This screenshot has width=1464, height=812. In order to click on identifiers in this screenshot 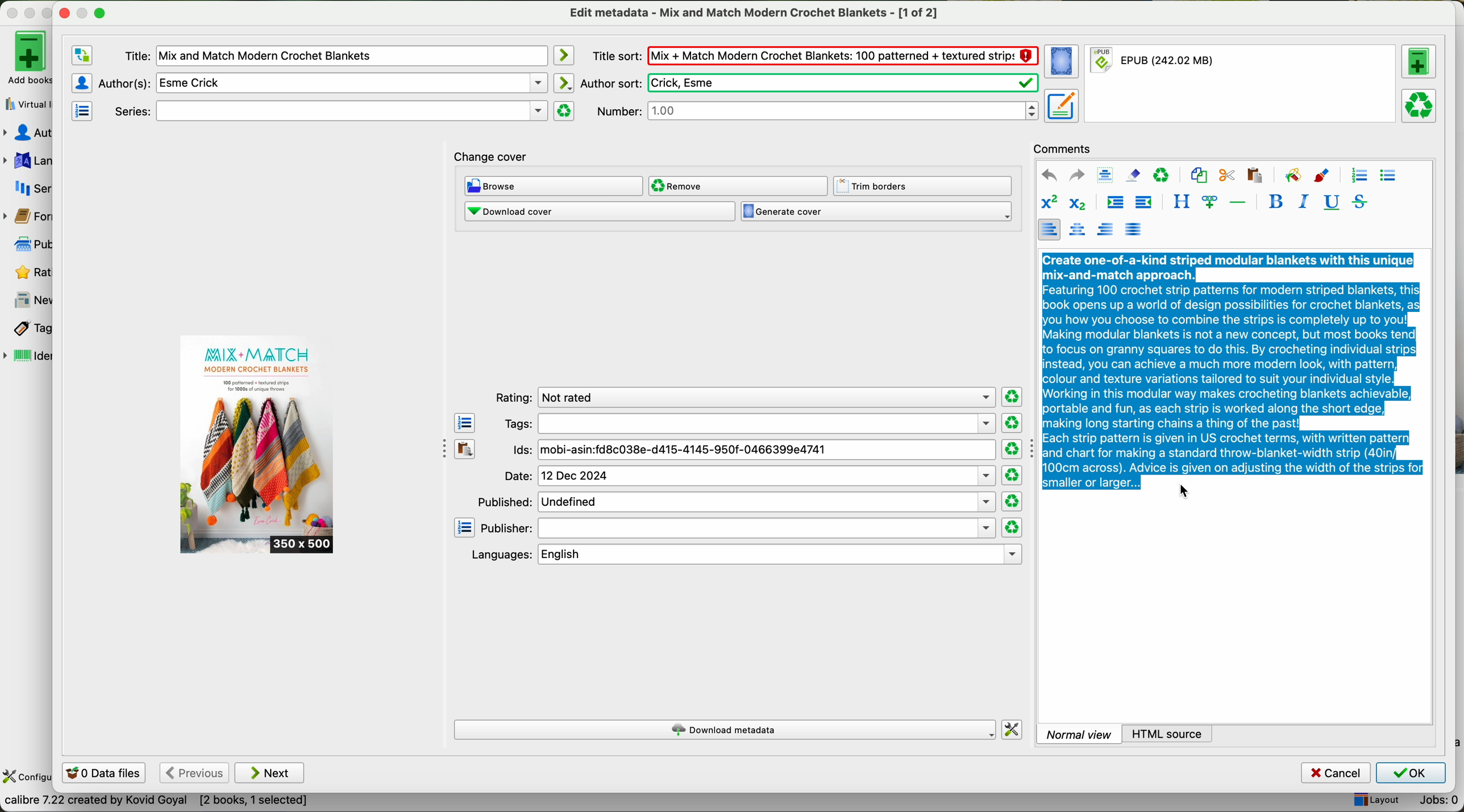, I will do `click(28, 357)`.